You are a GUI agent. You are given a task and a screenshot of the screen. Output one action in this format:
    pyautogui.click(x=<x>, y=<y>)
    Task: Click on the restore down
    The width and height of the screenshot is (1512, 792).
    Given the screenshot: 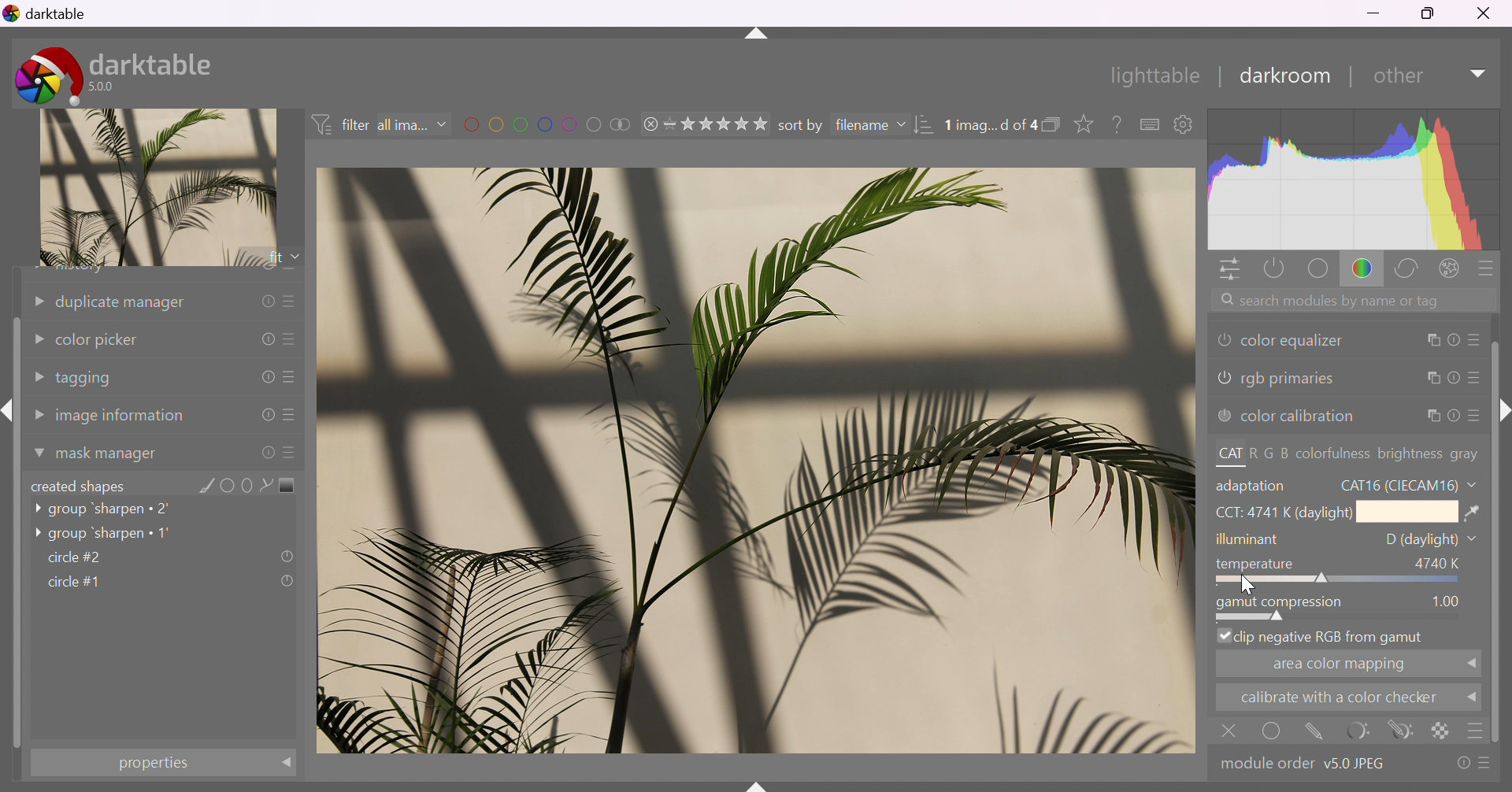 What is the action you would take?
    pyautogui.click(x=1431, y=13)
    